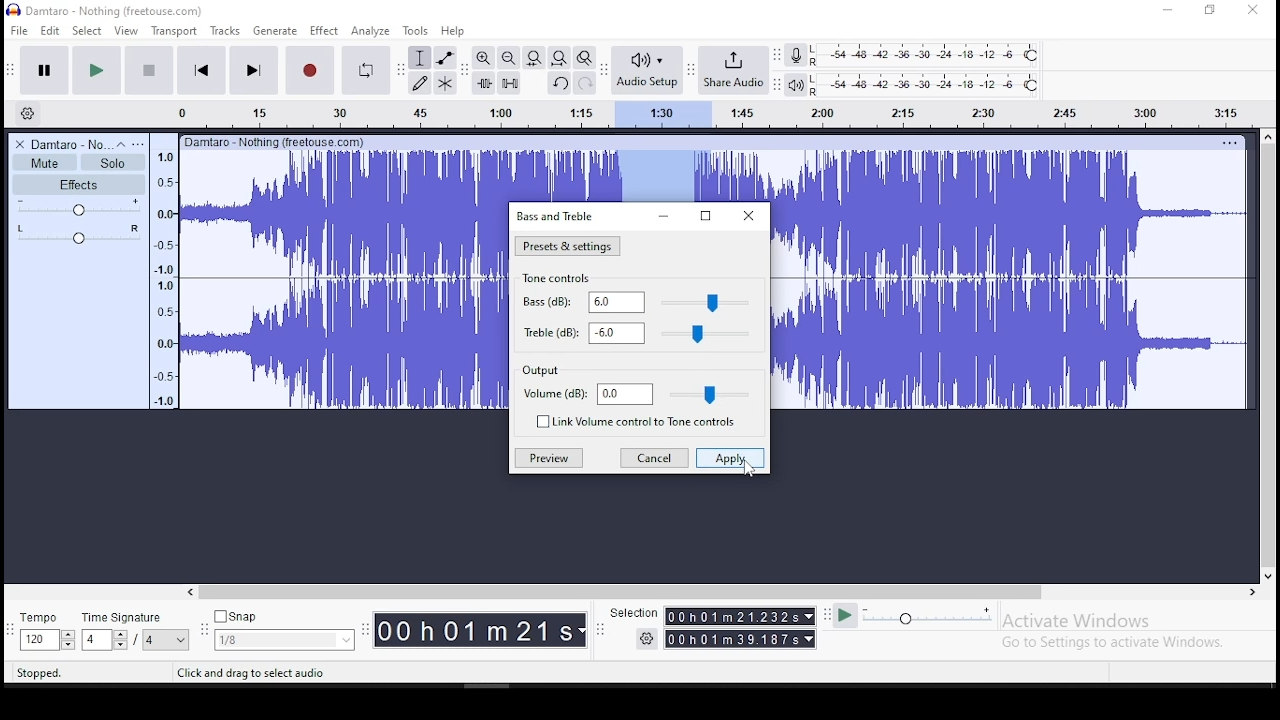  I want to click on edit, so click(51, 31).